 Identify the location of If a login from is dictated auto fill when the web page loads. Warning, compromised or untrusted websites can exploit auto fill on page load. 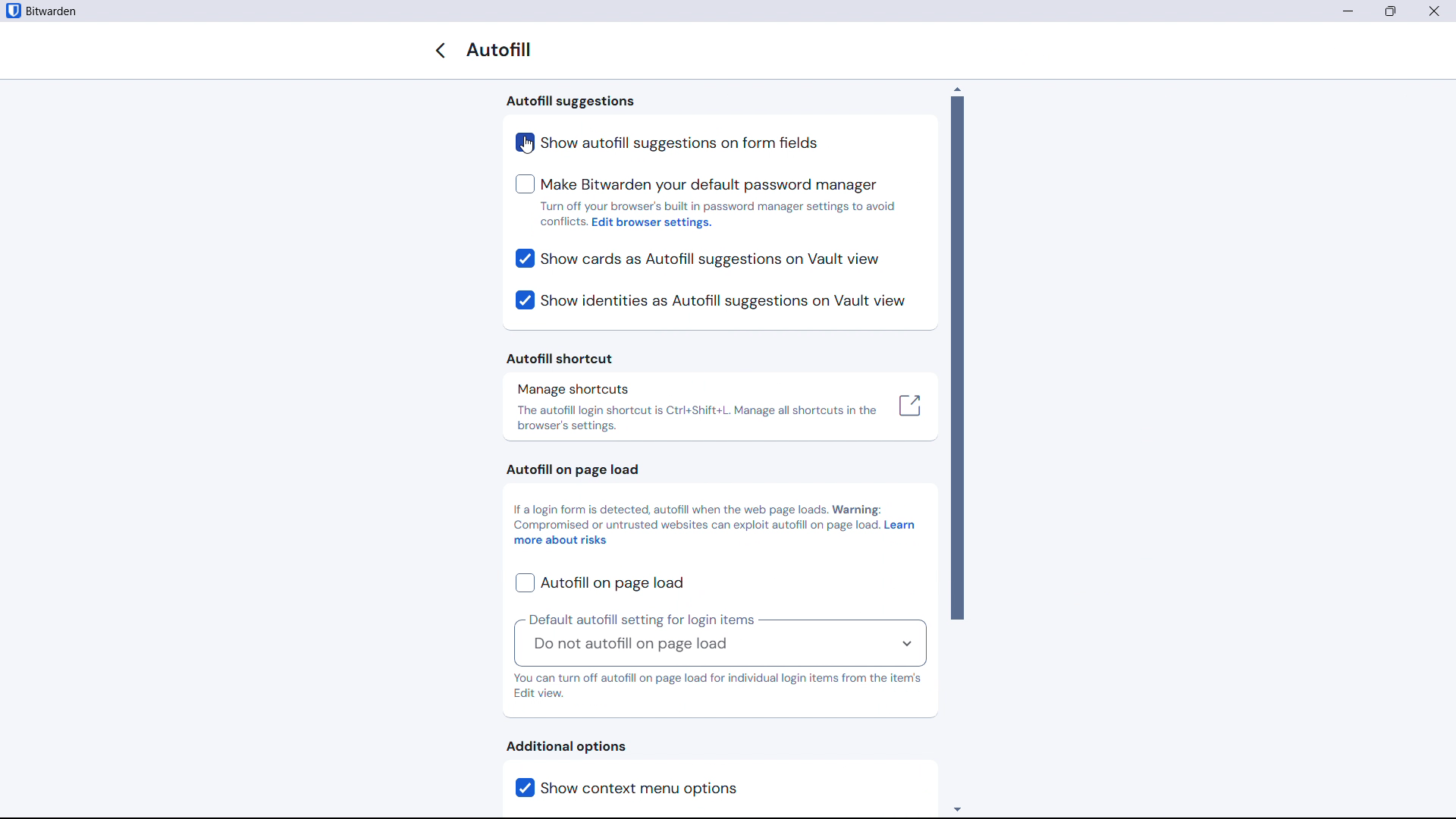
(695, 516).